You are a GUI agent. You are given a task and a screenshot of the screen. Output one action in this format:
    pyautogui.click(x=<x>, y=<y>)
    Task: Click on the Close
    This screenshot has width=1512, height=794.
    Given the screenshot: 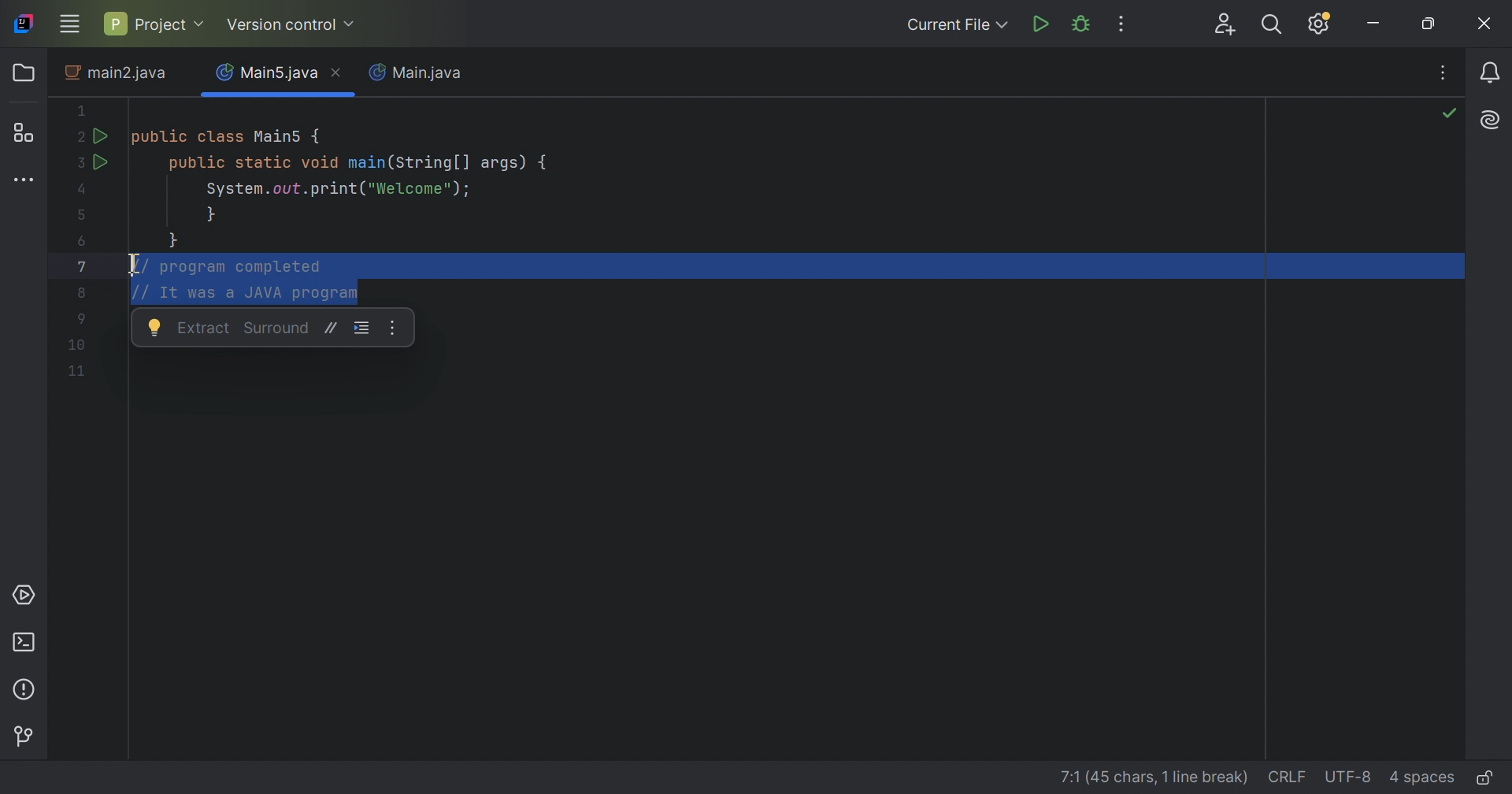 What is the action you would take?
    pyautogui.click(x=340, y=74)
    